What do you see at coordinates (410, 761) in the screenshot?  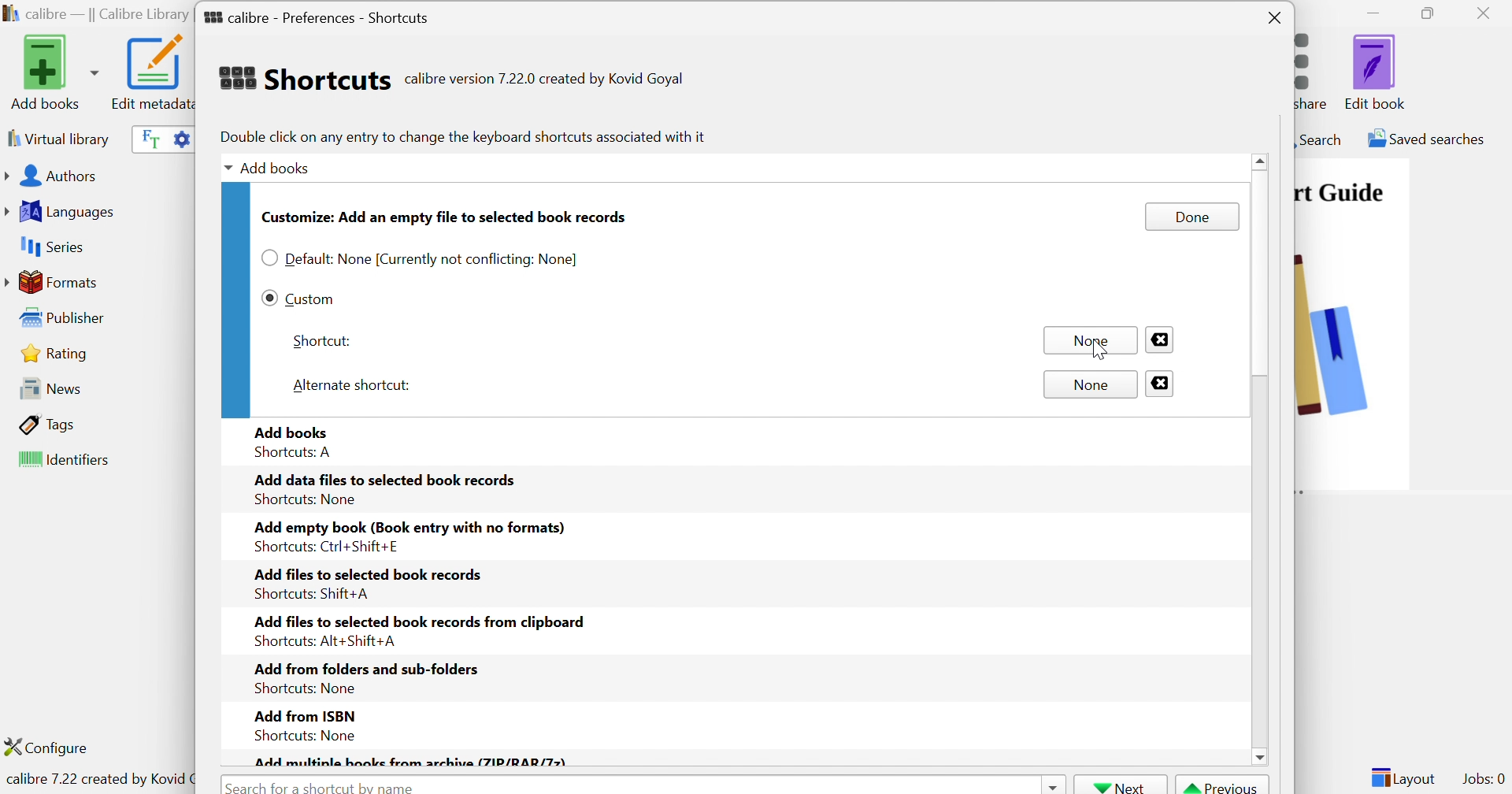 I see `Add multiple books from archive (ZIP/RAR/Z)` at bounding box center [410, 761].